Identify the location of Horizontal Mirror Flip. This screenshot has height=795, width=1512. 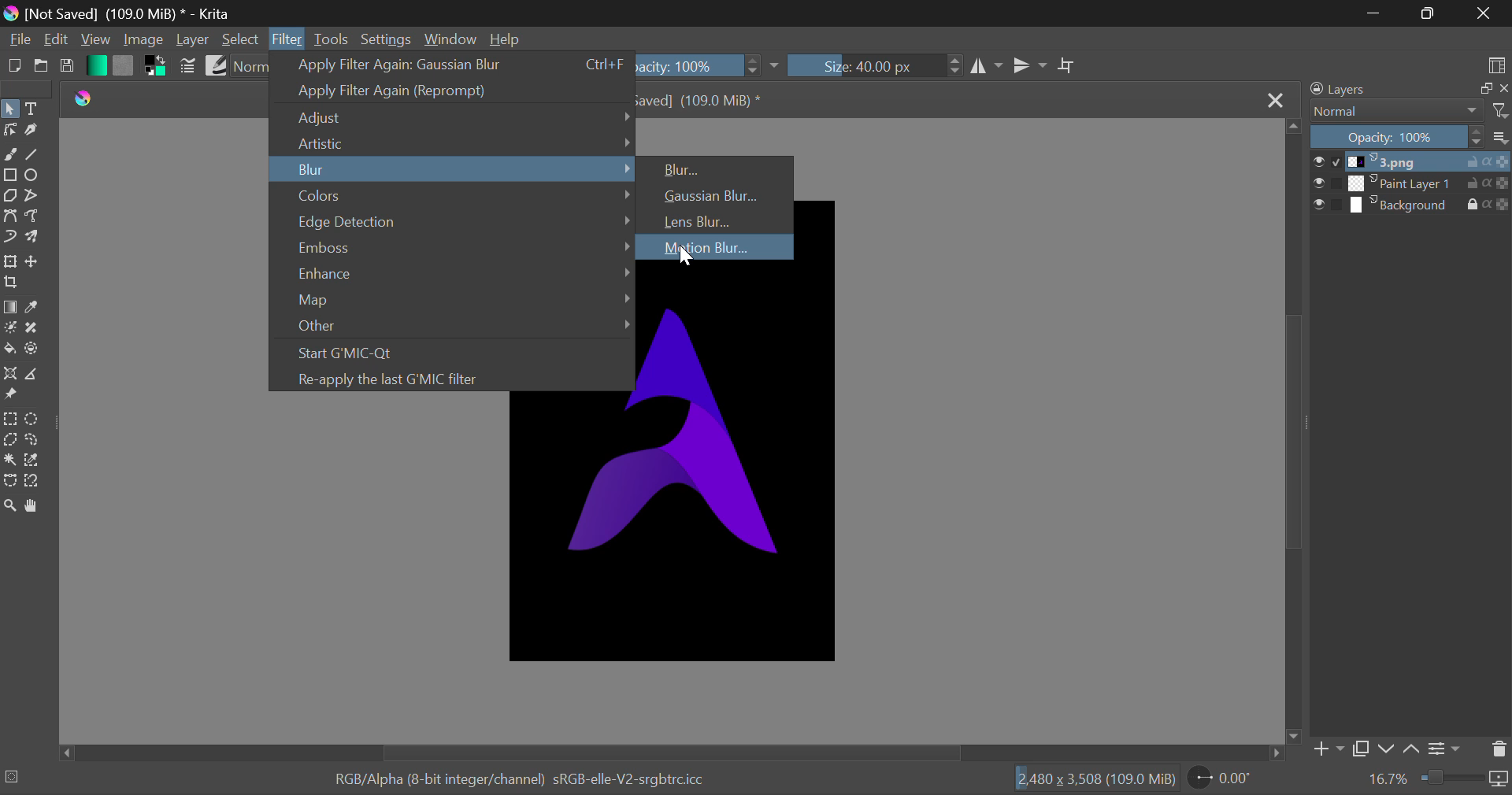
(1029, 65).